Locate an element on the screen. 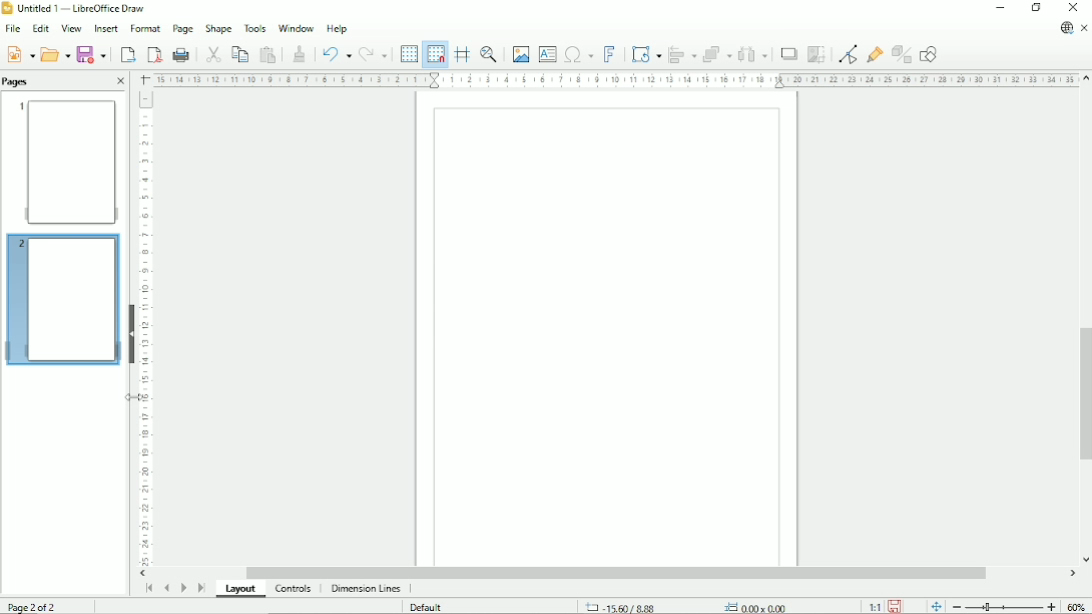  Close is located at coordinates (120, 82).